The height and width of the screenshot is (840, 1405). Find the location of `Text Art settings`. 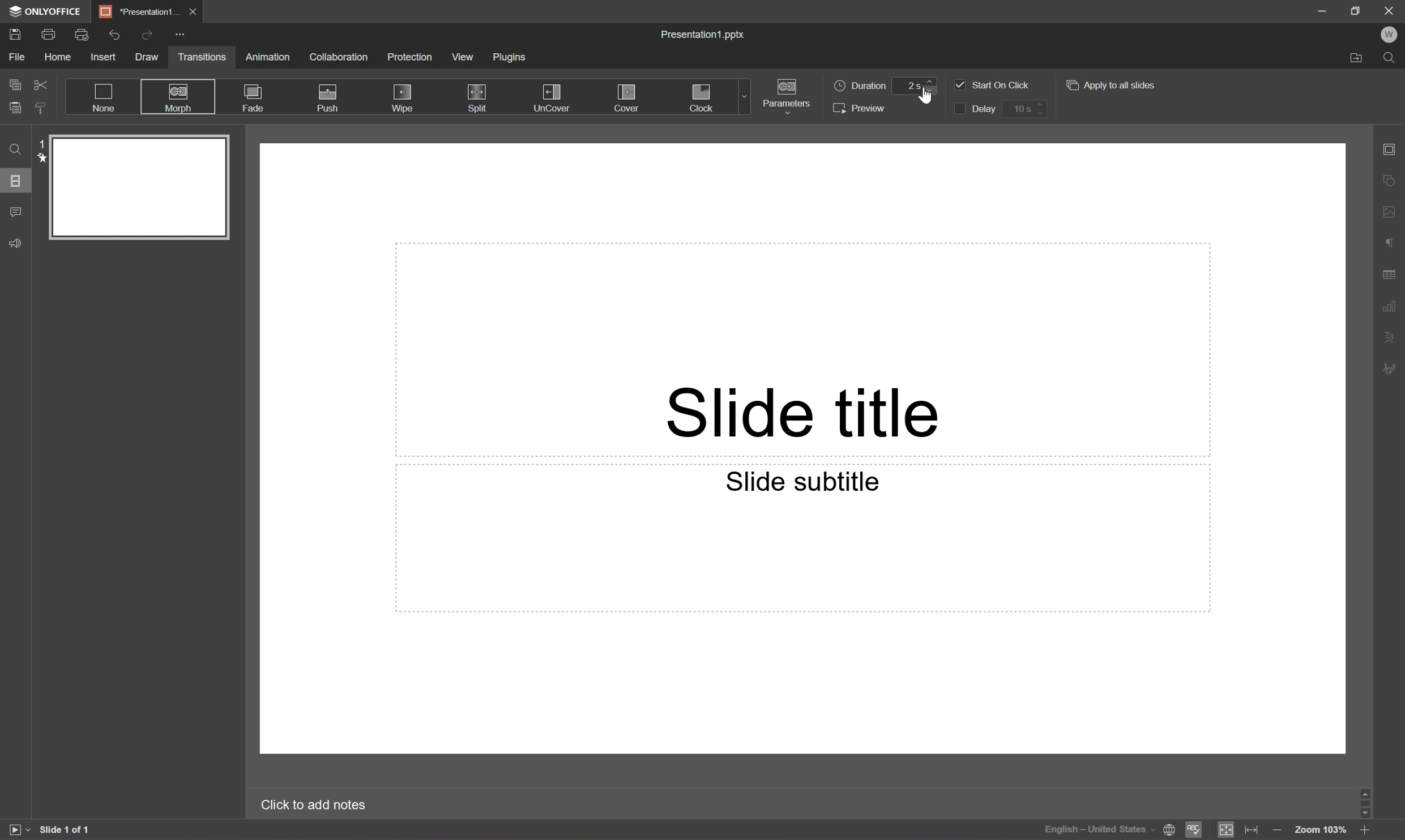

Text Art settings is located at coordinates (1394, 338).